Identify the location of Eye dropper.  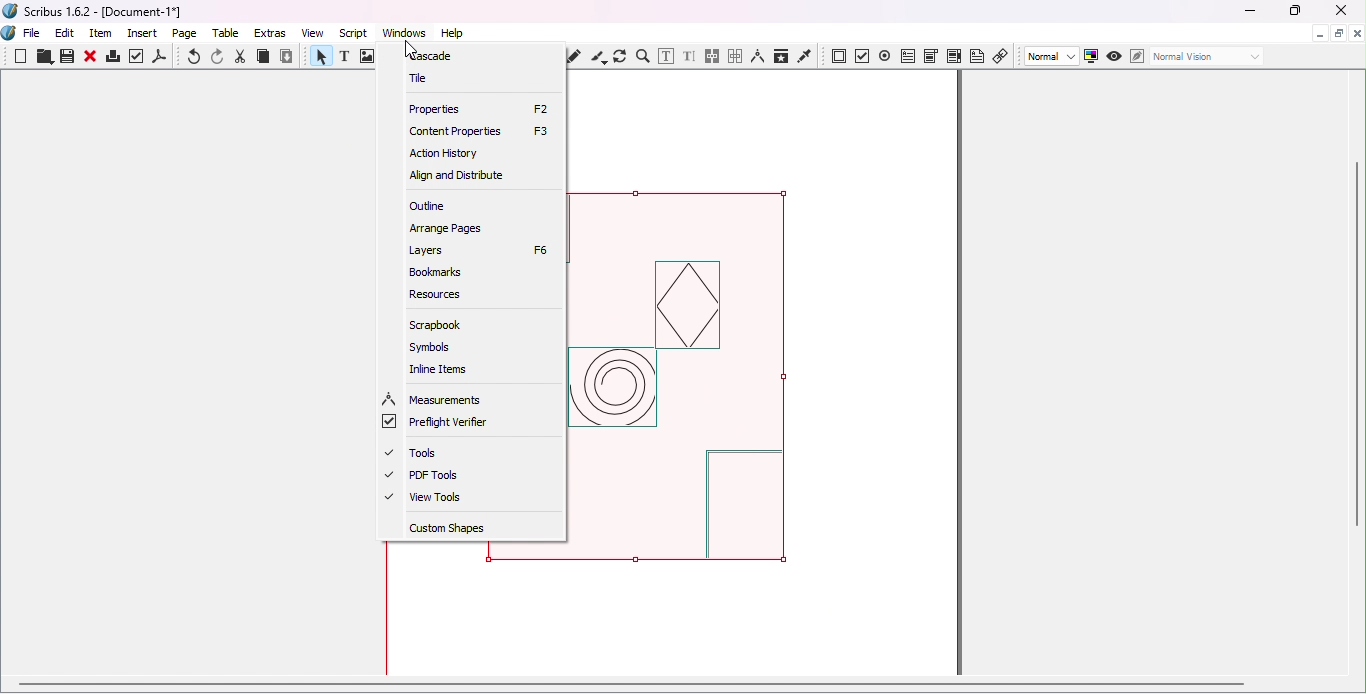
(805, 55).